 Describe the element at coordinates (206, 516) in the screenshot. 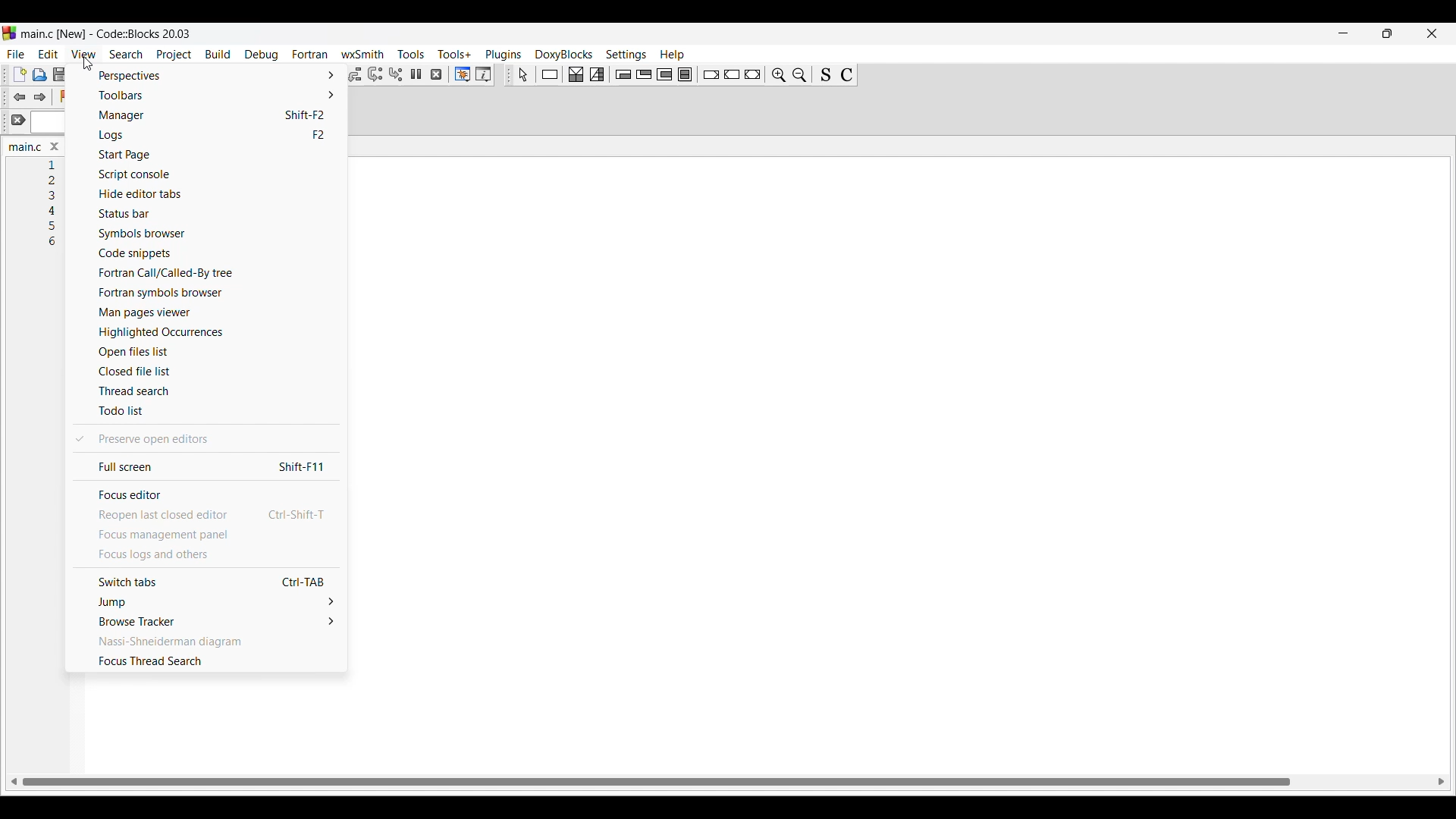

I see `Reopen last closed editor` at that location.